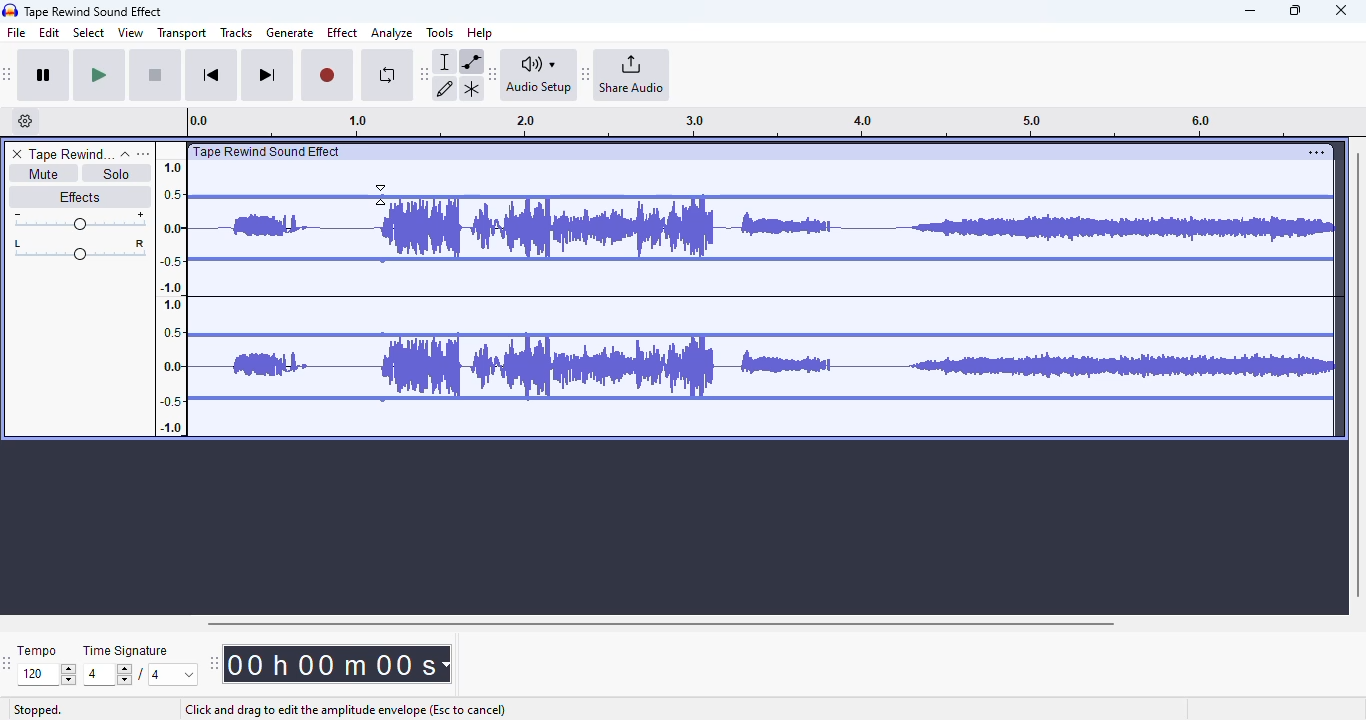 Image resolution: width=1366 pixels, height=720 pixels. Describe the element at coordinates (847, 290) in the screenshot. I see `volume of the track reduced` at that location.